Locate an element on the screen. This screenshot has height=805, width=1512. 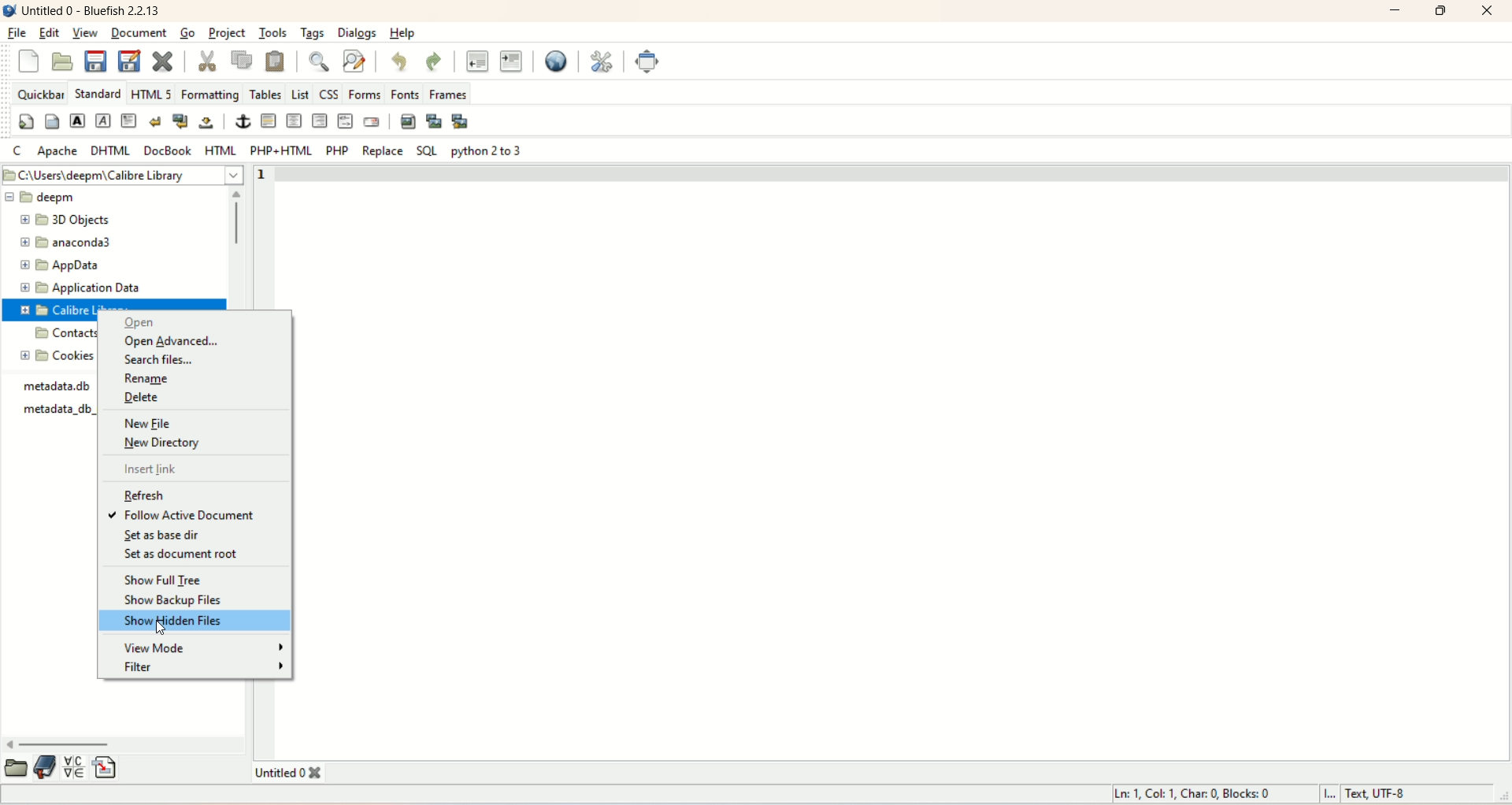
horizontal rule is located at coordinates (270, 121).